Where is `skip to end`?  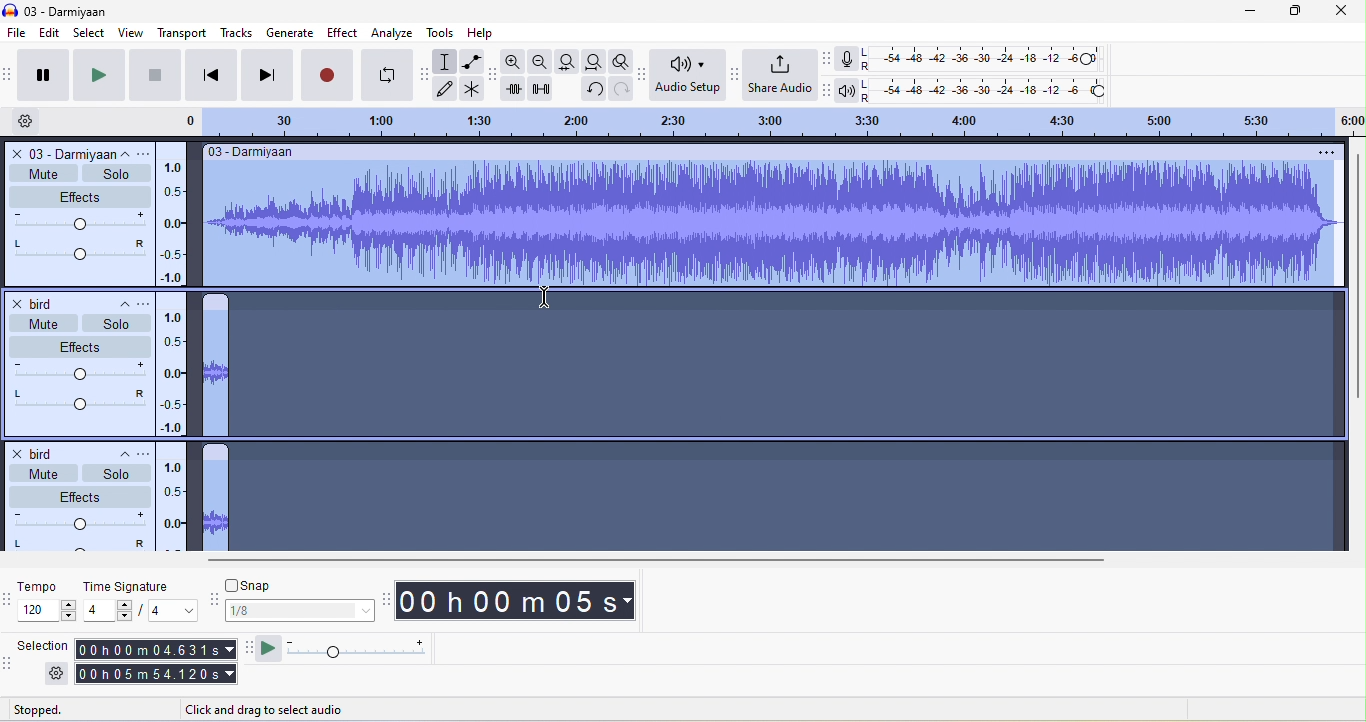 skip to end is located at coordinates (269, 73).